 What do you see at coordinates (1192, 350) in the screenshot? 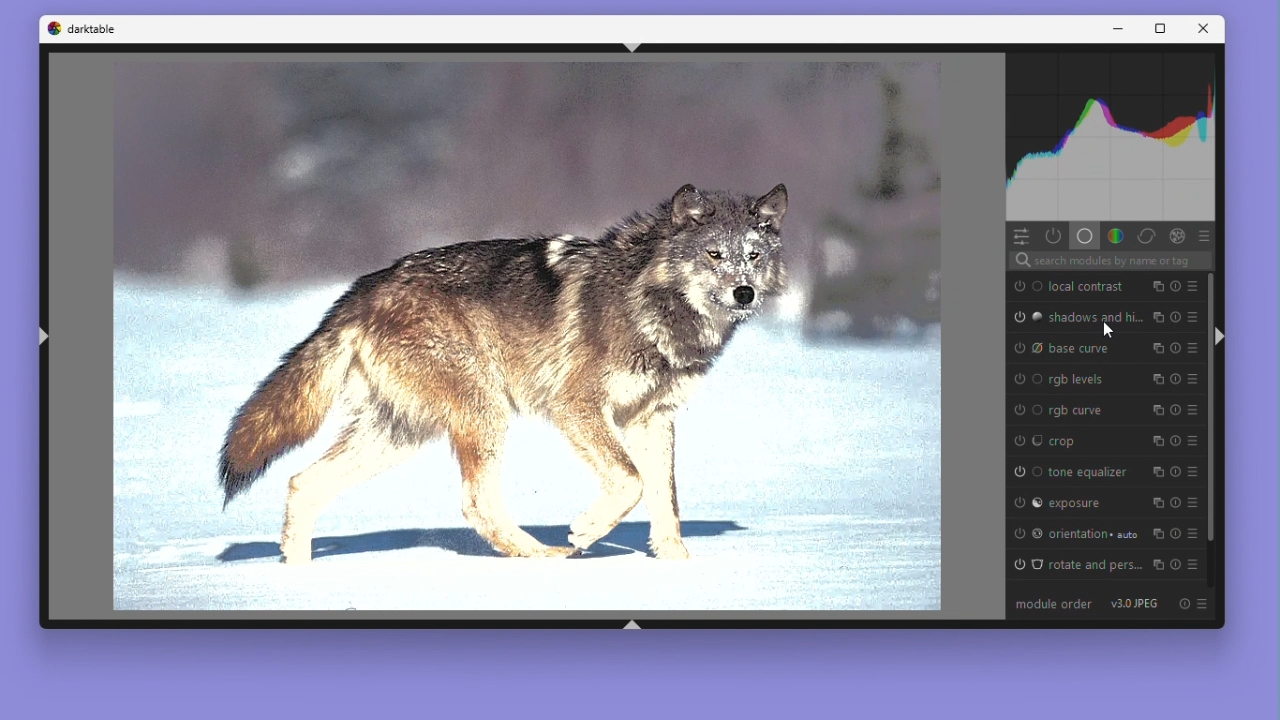
I see `presets` at bounding box center [1192, 350].